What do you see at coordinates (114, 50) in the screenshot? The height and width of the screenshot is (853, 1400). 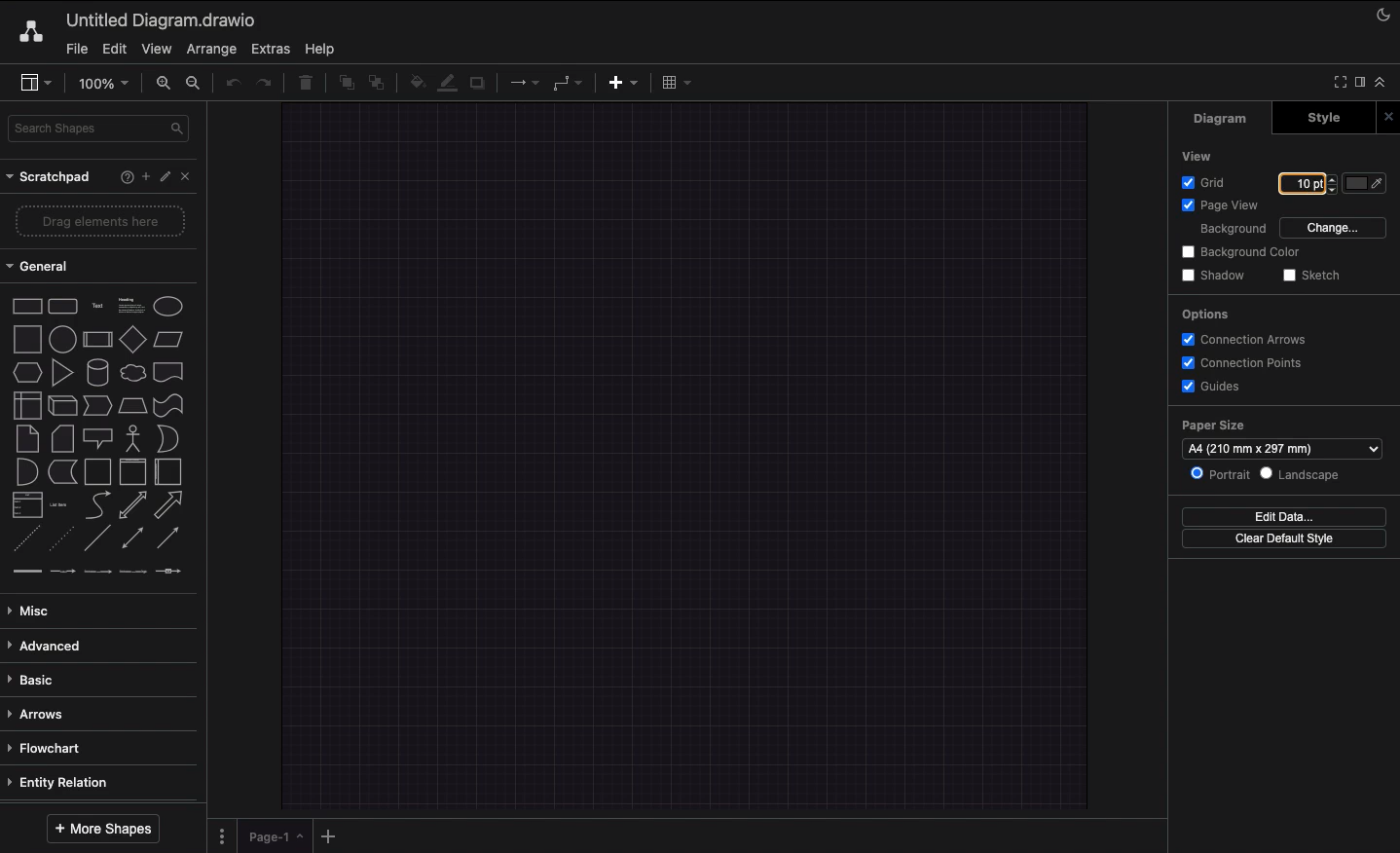 I see `Edit` at bounding box center [114, 50].